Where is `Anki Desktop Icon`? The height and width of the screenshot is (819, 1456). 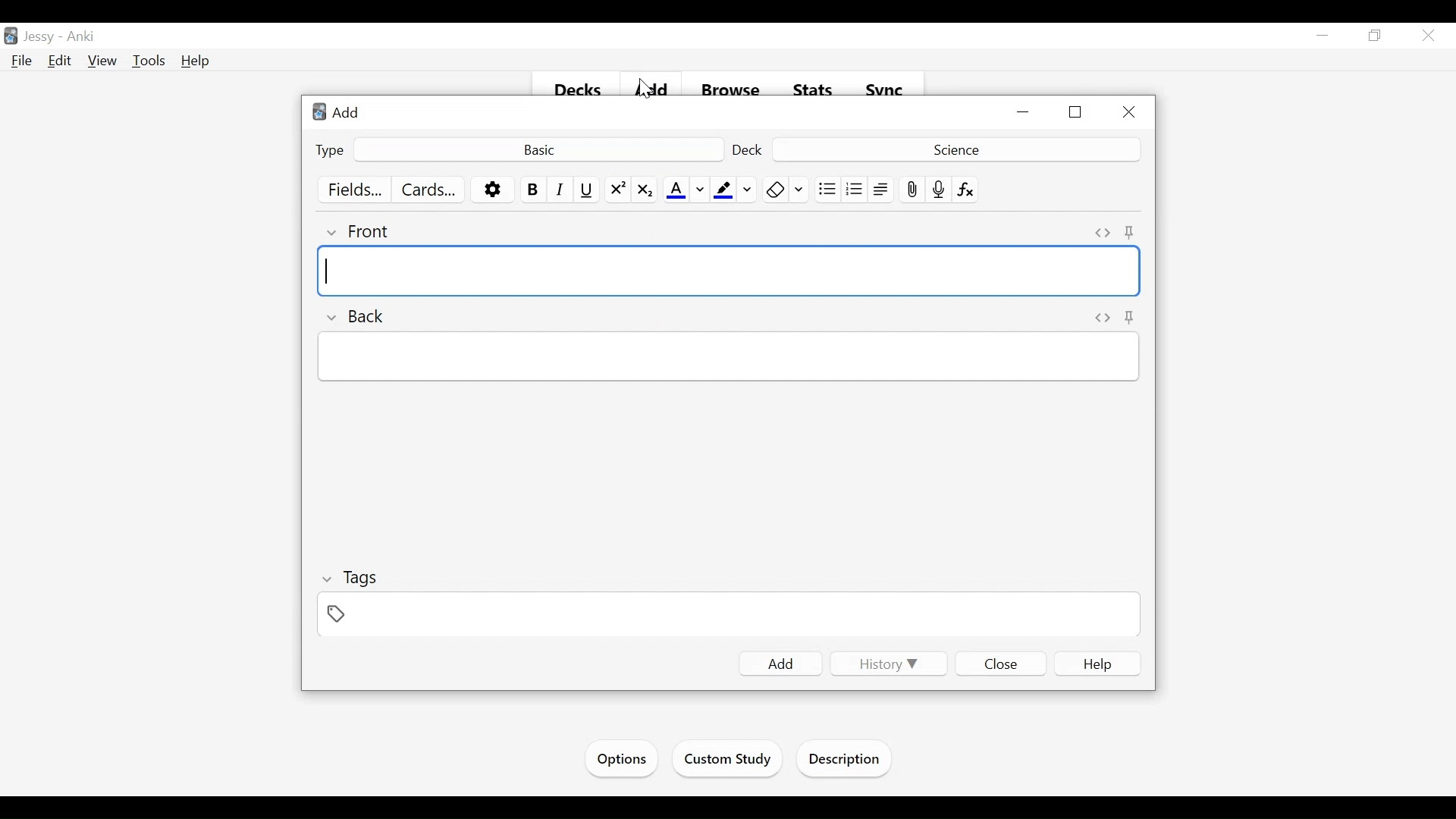 Anki Desktop Icon is located at coordinates (11, 36).